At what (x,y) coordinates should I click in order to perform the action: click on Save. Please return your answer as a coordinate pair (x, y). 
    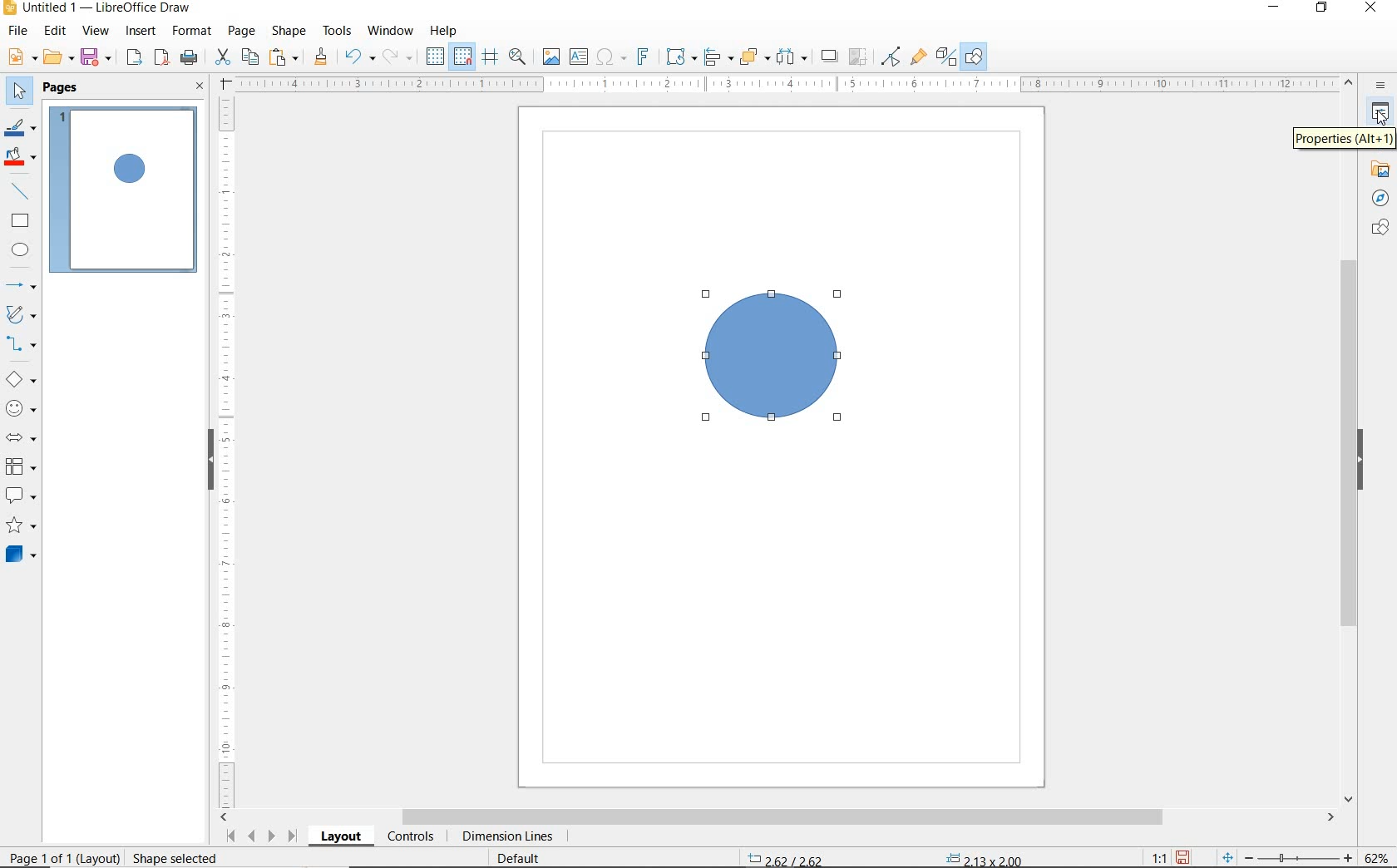
    Looking at the image, I should click on (1182, 857).